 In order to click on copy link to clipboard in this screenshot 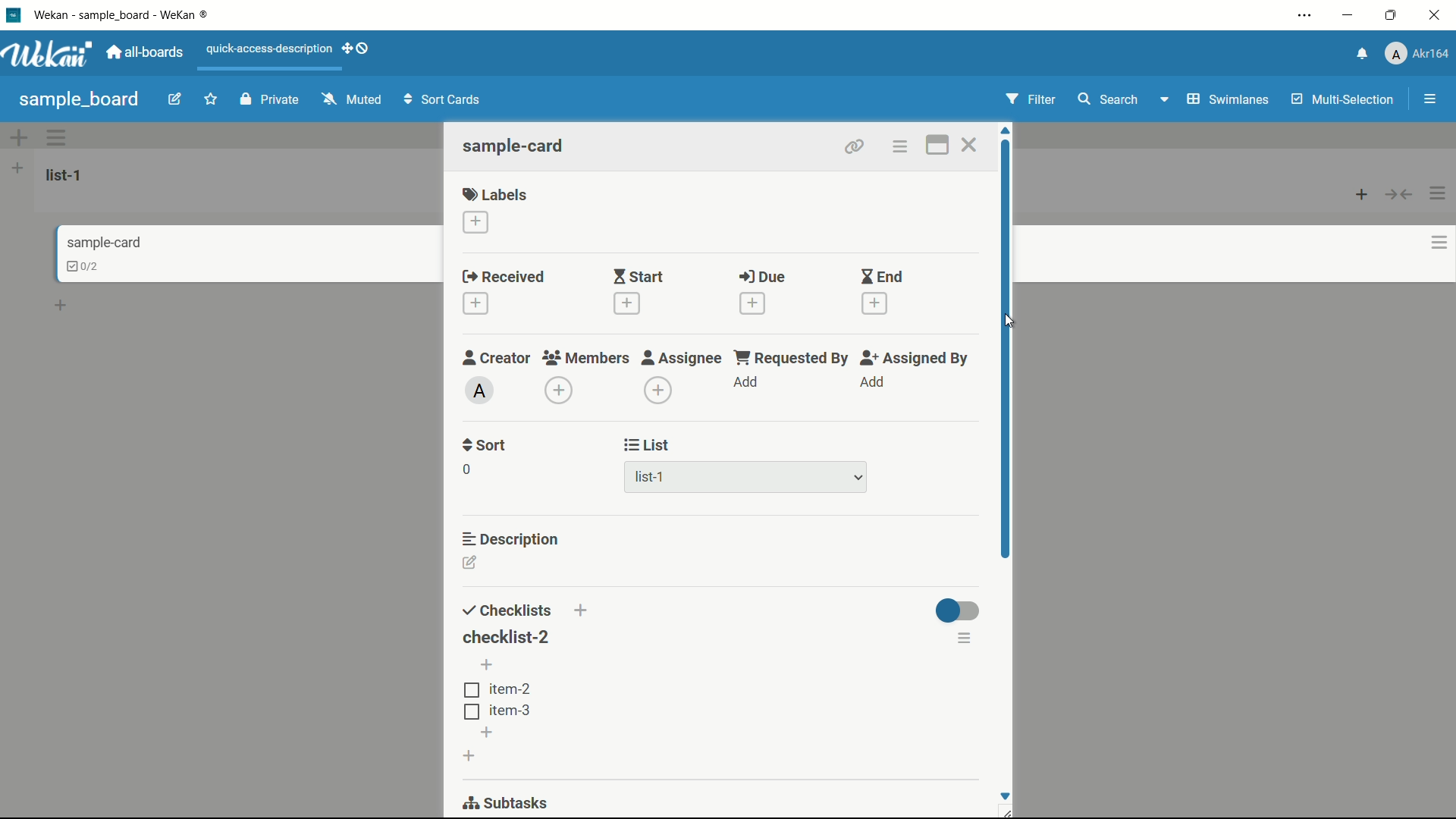, I will do `click(855, 149)`.